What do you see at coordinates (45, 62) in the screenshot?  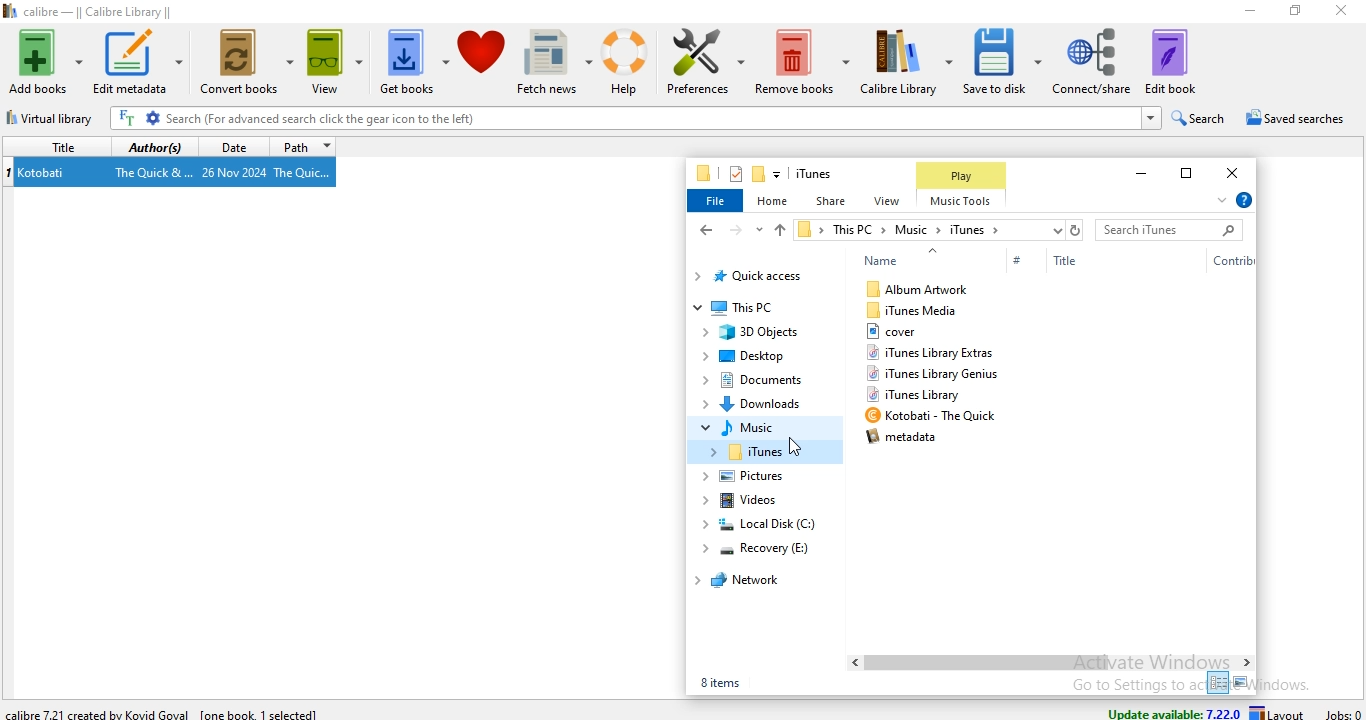 I see `add books` at bounding box center [45, 62].